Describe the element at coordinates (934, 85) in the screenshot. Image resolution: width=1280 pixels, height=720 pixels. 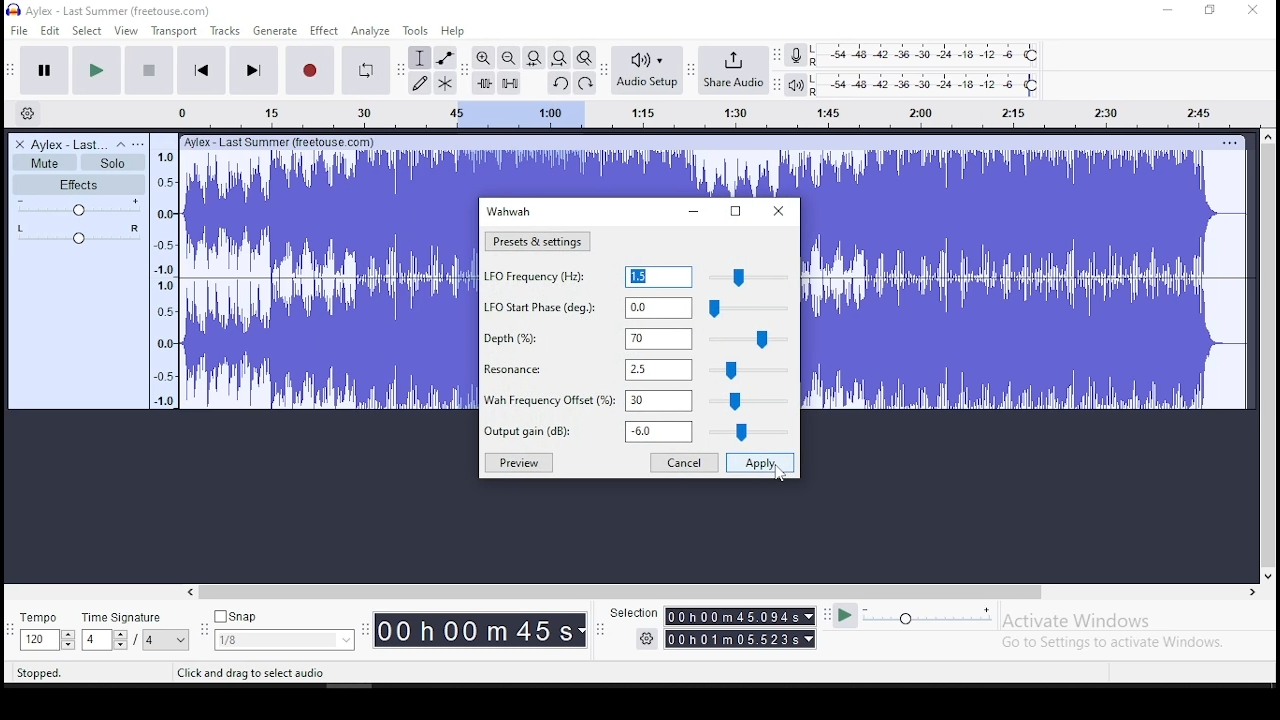
I see `playback level` at that location.